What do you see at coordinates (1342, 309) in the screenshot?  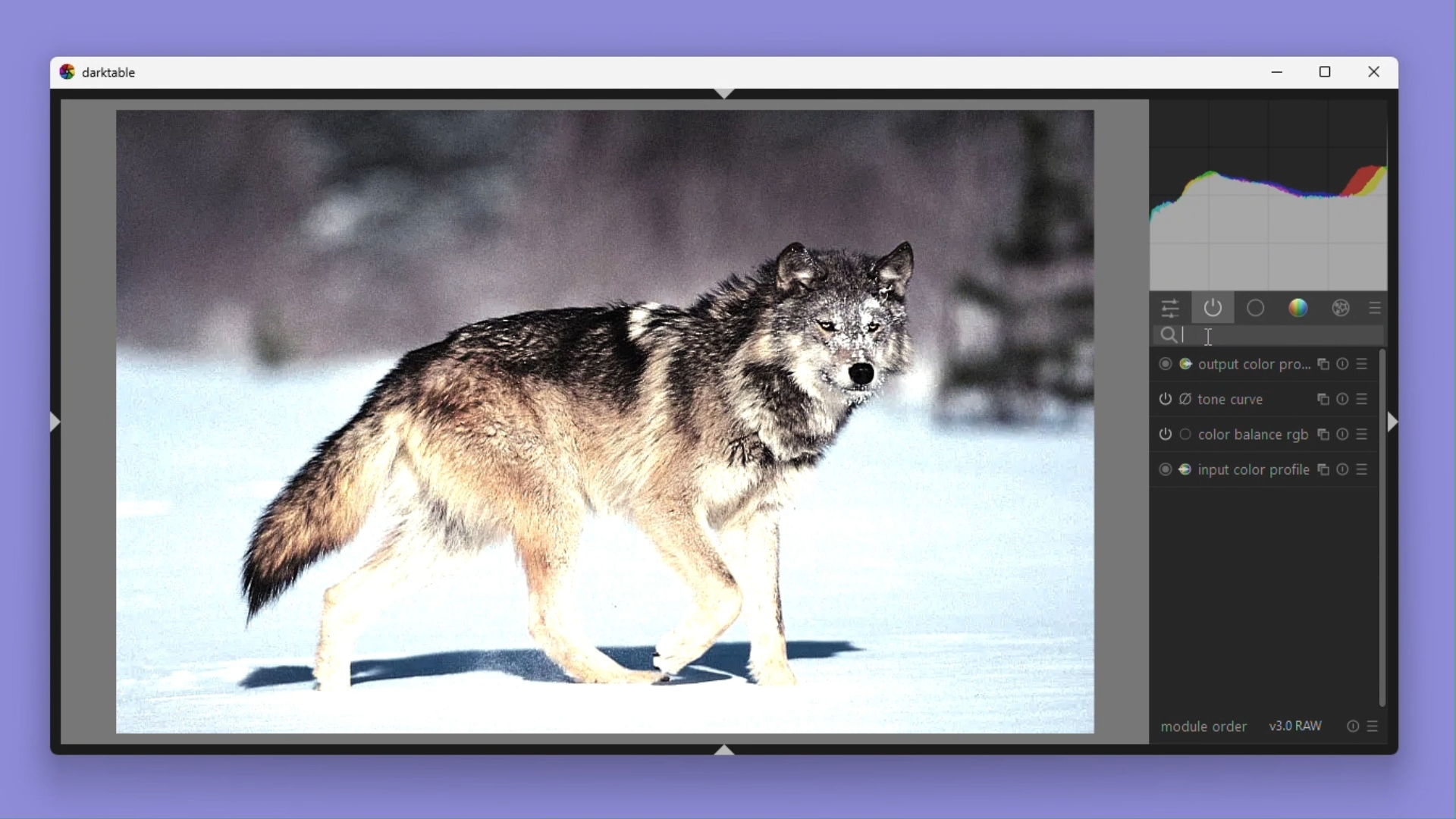 I see `Effect` at bounding box center [1342, 309].